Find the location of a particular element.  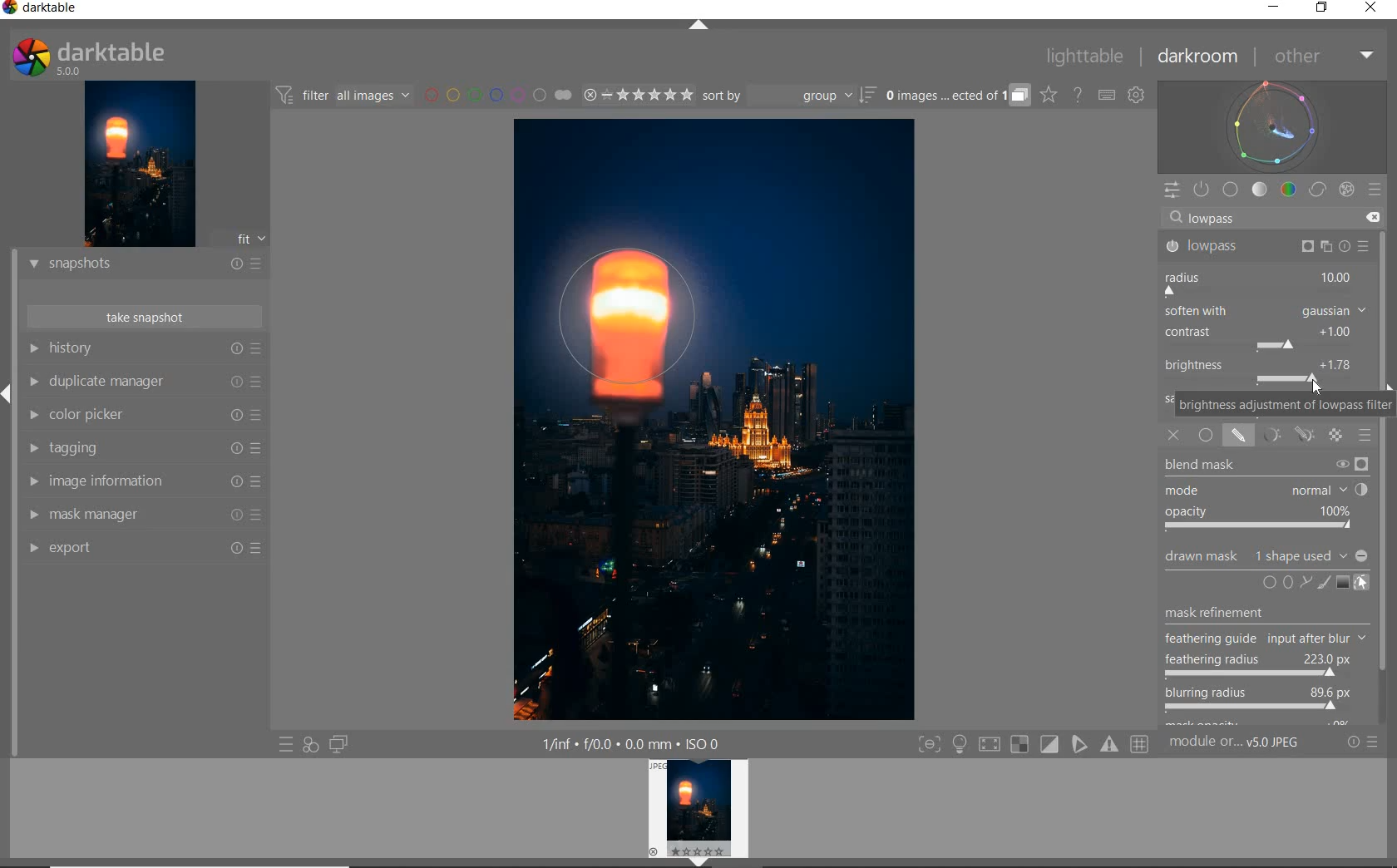

BRIGHTNESS is located at coordinates (1266, 371).